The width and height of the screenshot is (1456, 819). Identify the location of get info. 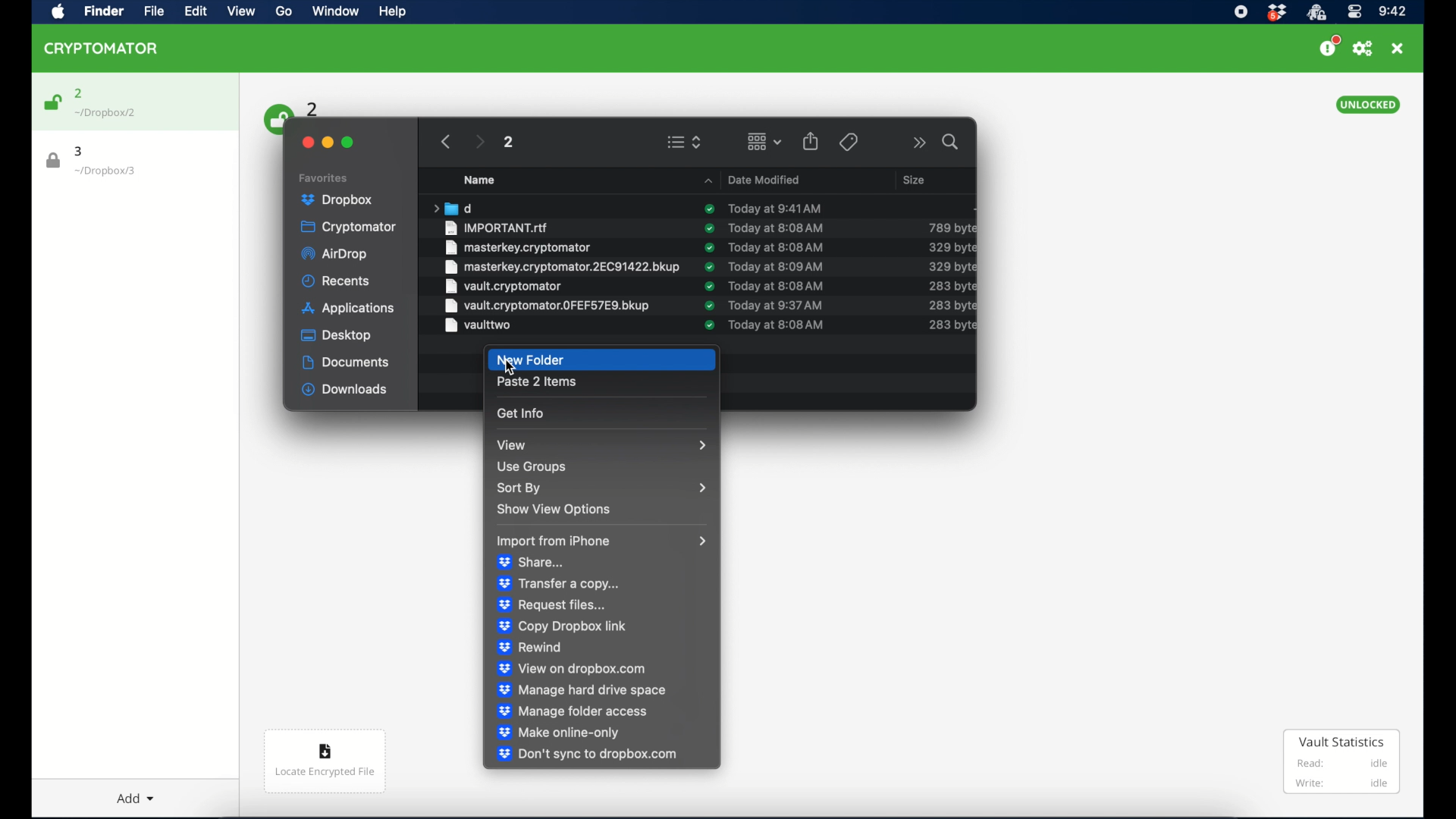
(522, 413).